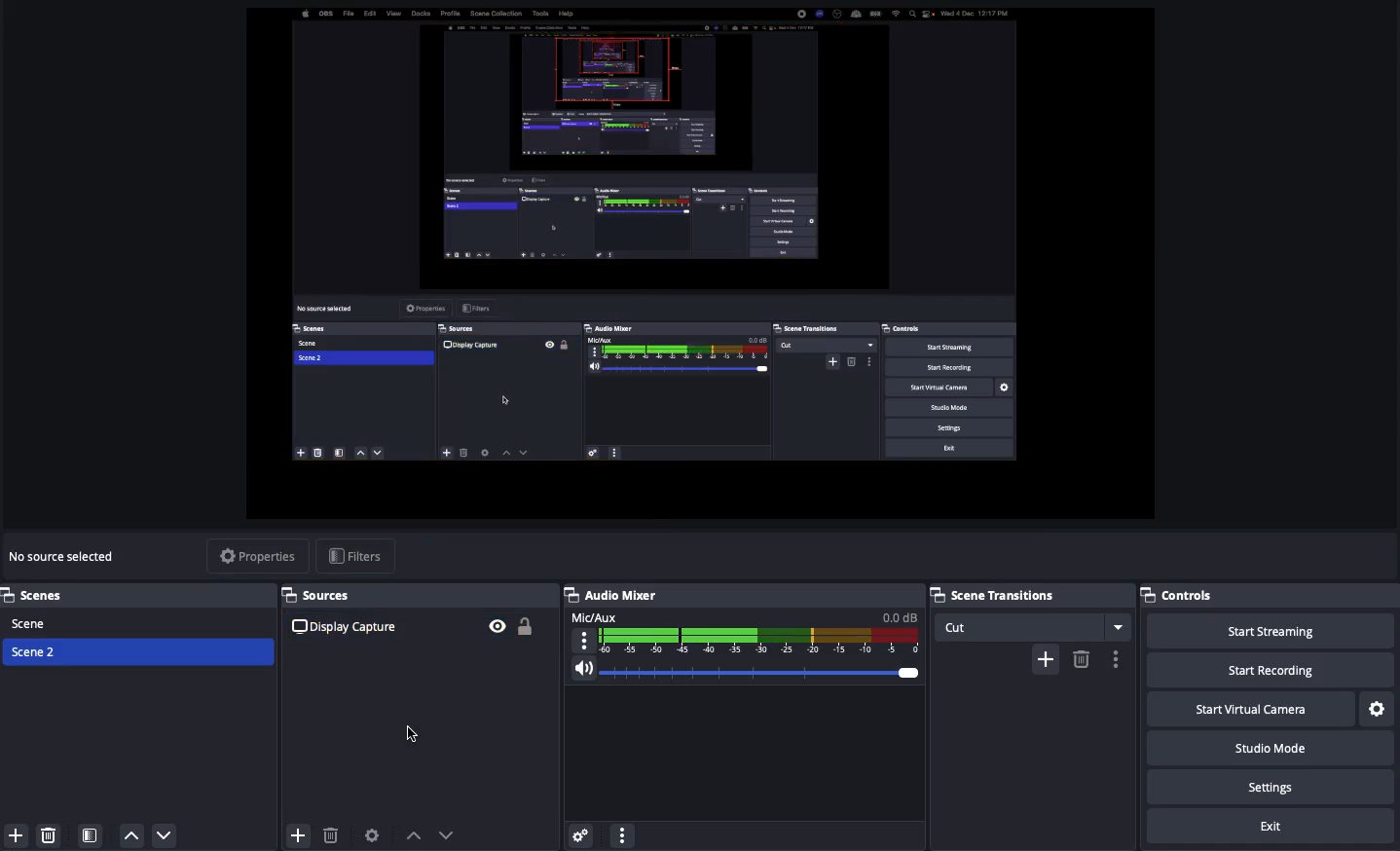 This screenshot has width=1400, height=851. Describe the element at coordinates (18, 834) in the screenshot. I see `Add` at that location.